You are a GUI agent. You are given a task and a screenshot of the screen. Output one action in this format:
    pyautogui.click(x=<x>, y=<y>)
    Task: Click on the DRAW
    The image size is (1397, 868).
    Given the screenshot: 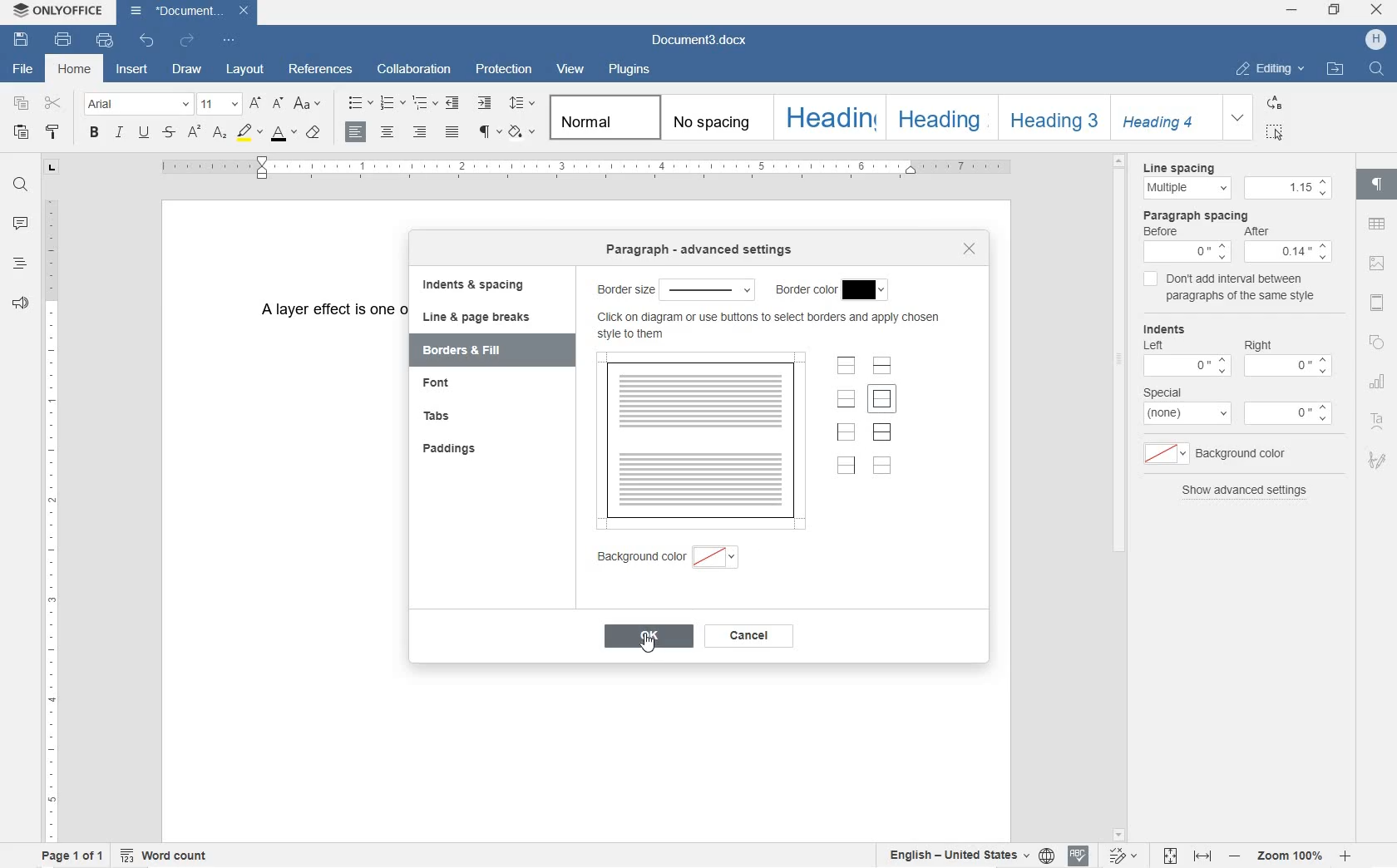 What is the action you would take?
    pyautogui.click(x=186, y=69)
    